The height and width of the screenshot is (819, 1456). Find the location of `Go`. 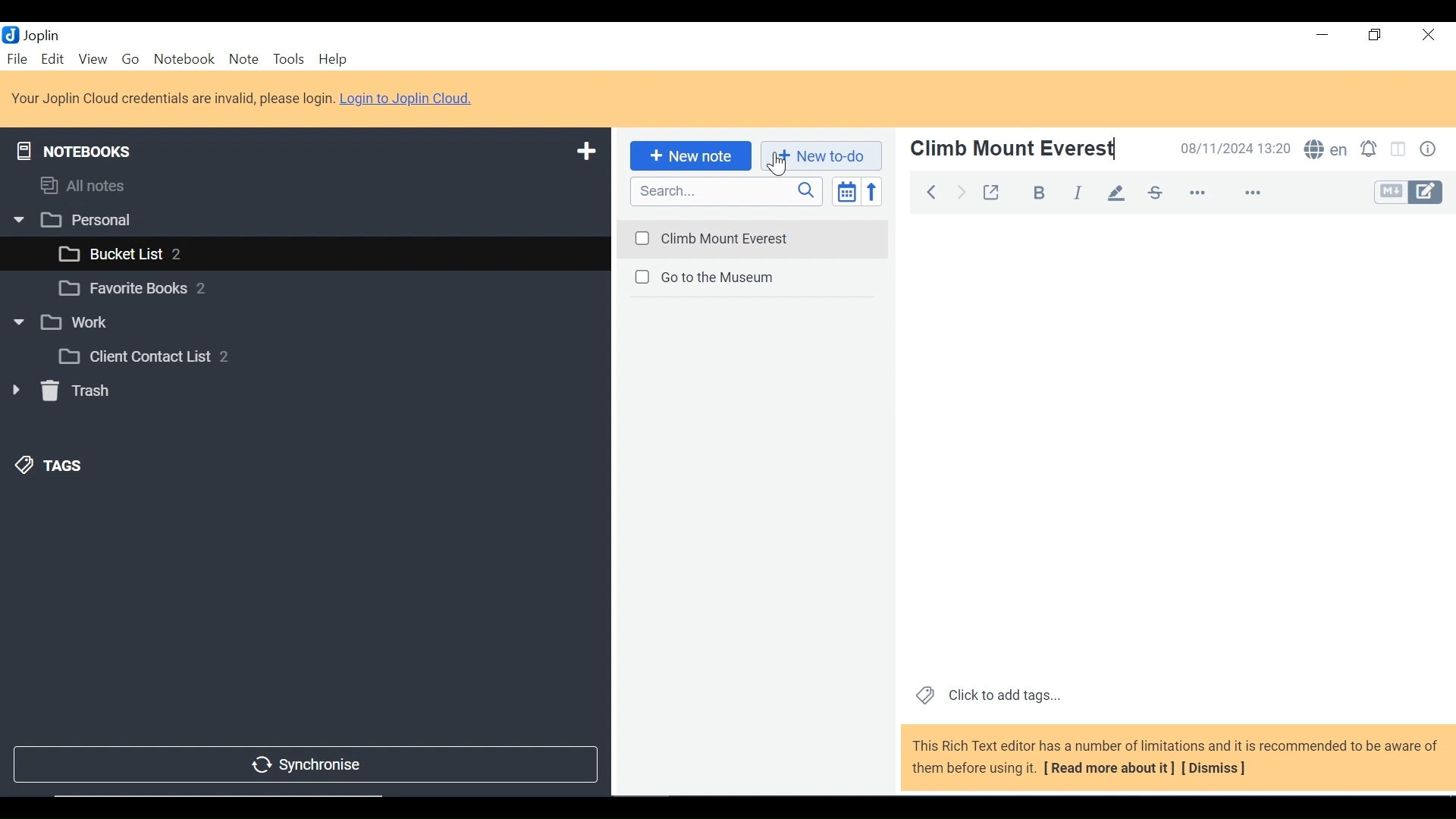

Go is located at coordinates (133, 61).